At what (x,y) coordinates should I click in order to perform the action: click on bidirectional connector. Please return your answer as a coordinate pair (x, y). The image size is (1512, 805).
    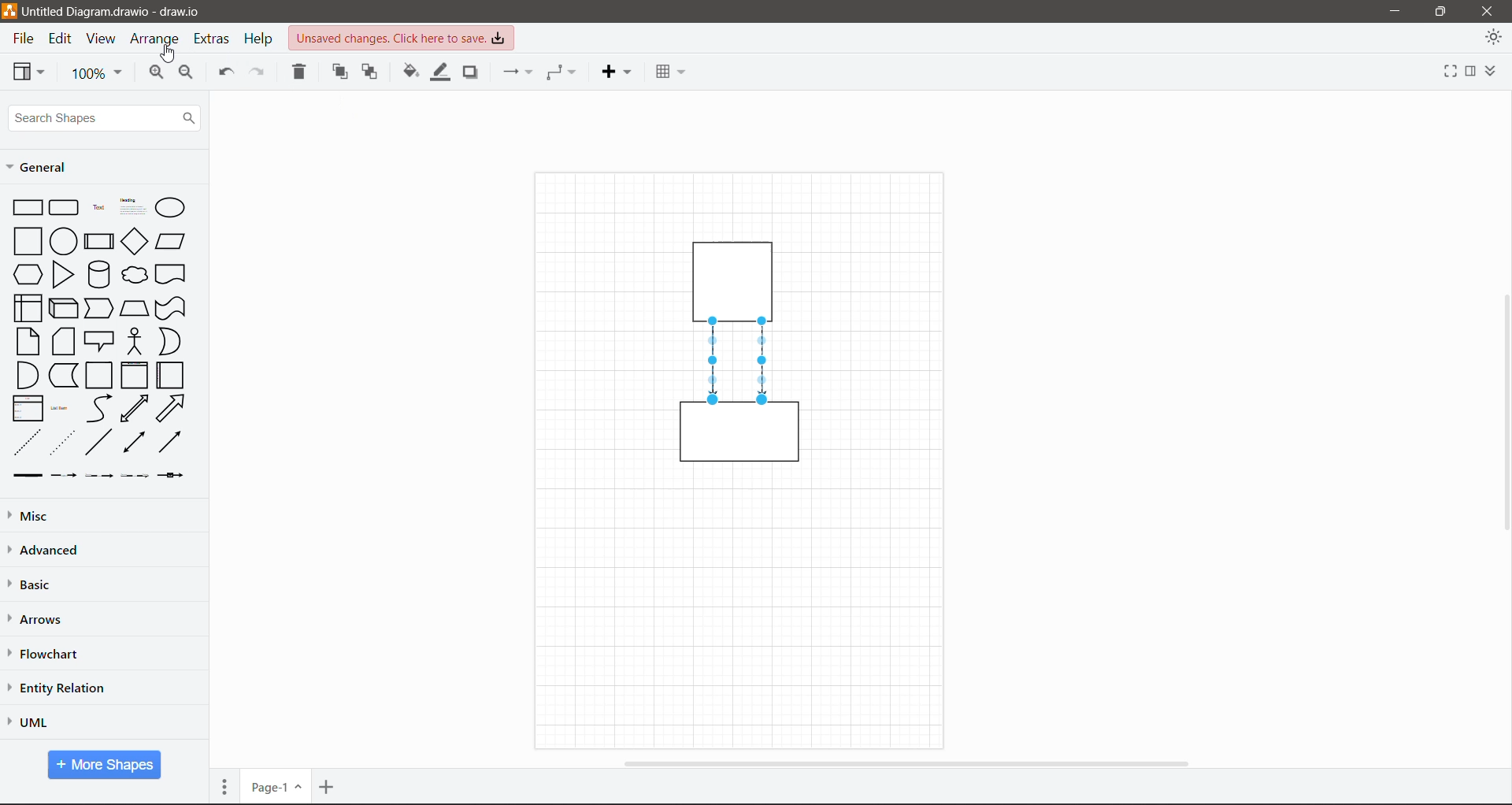
    Looking at the image, I should click on (132, 443).